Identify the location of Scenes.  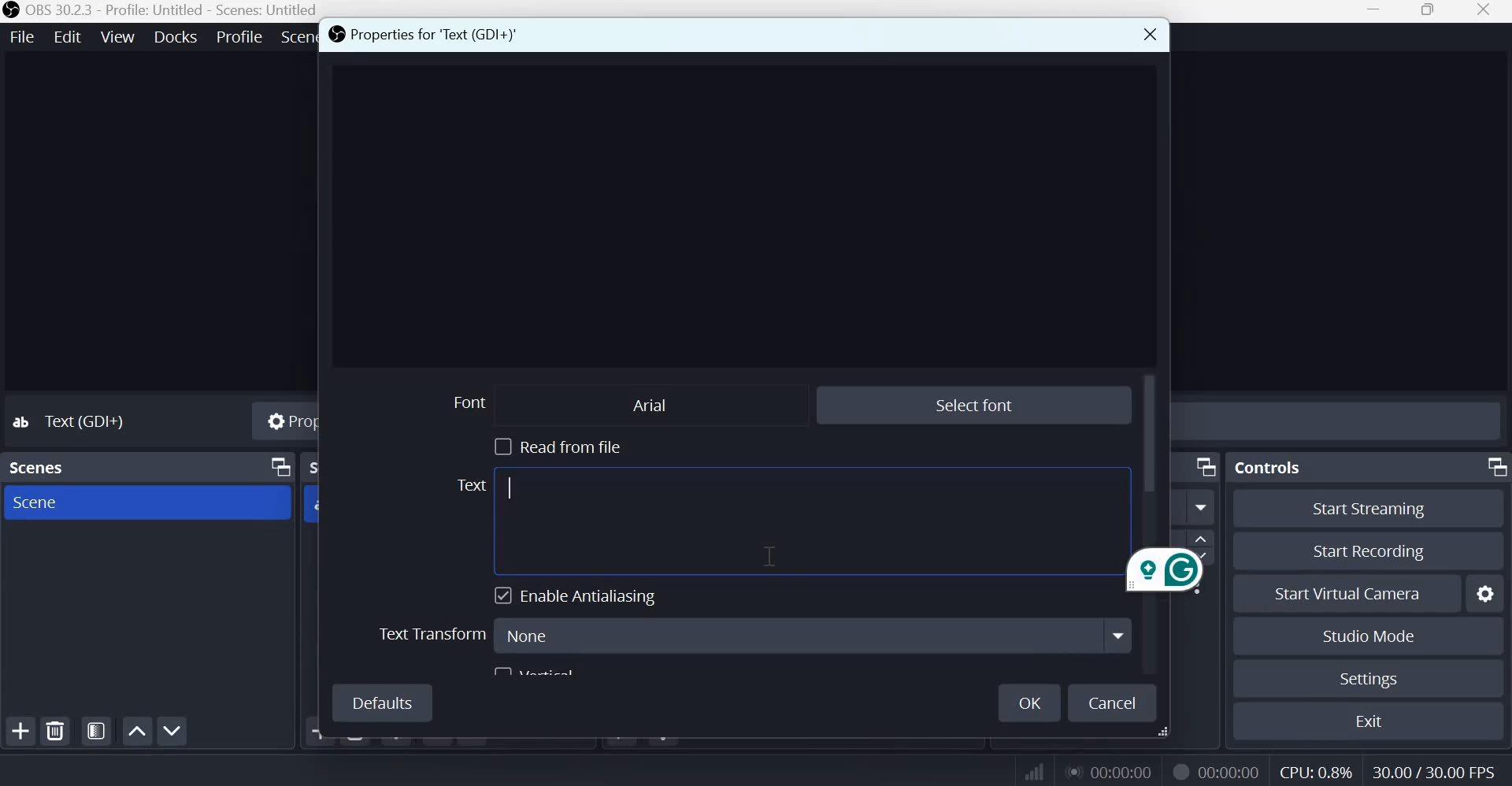
(37, 468).